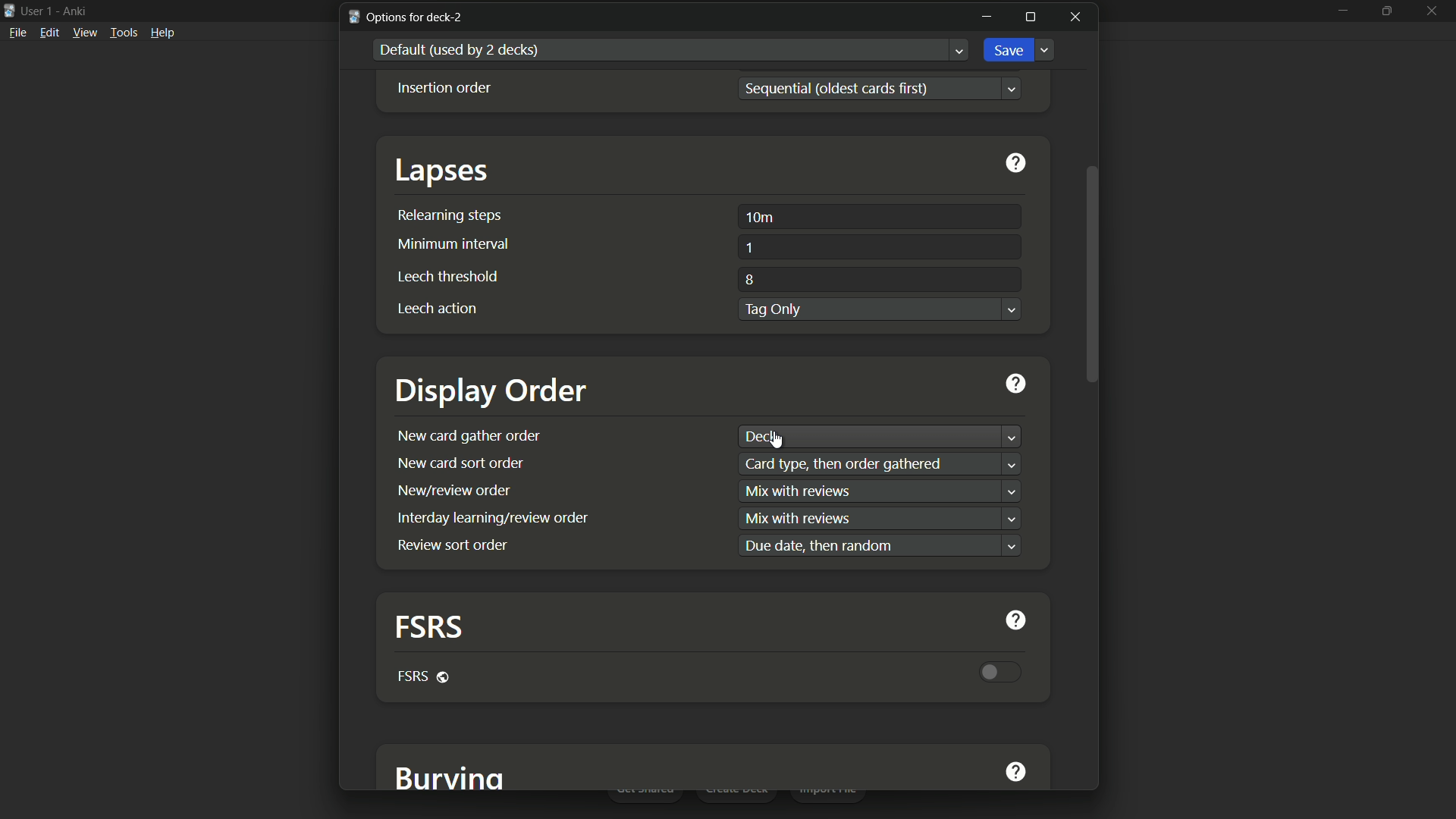  What do you see at coordinates (1021, 620) in the screenshot?
I see `get help` at bounding box center [1021, 620].